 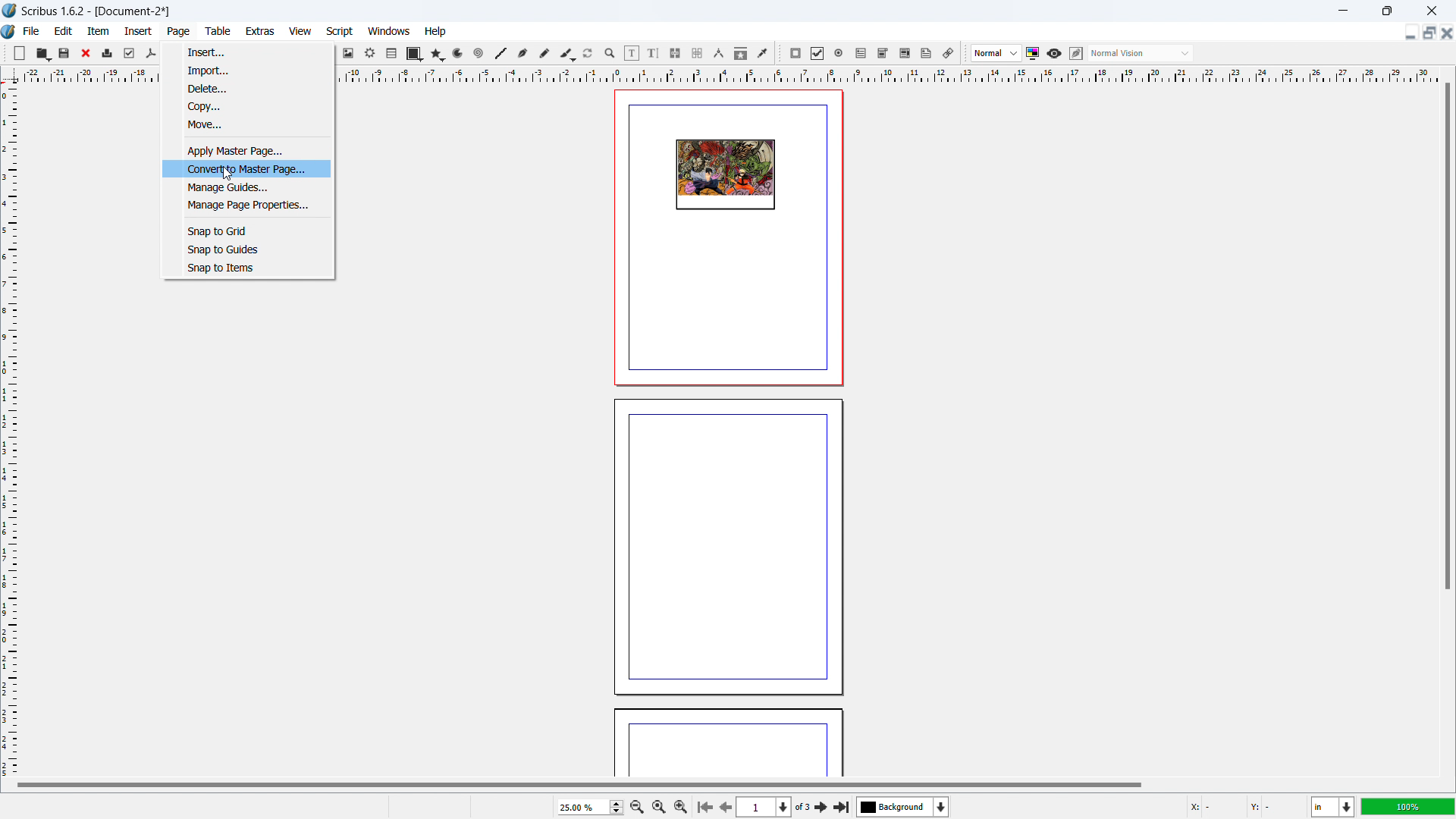 I want to click on of 3, so click(x=802, y=808).